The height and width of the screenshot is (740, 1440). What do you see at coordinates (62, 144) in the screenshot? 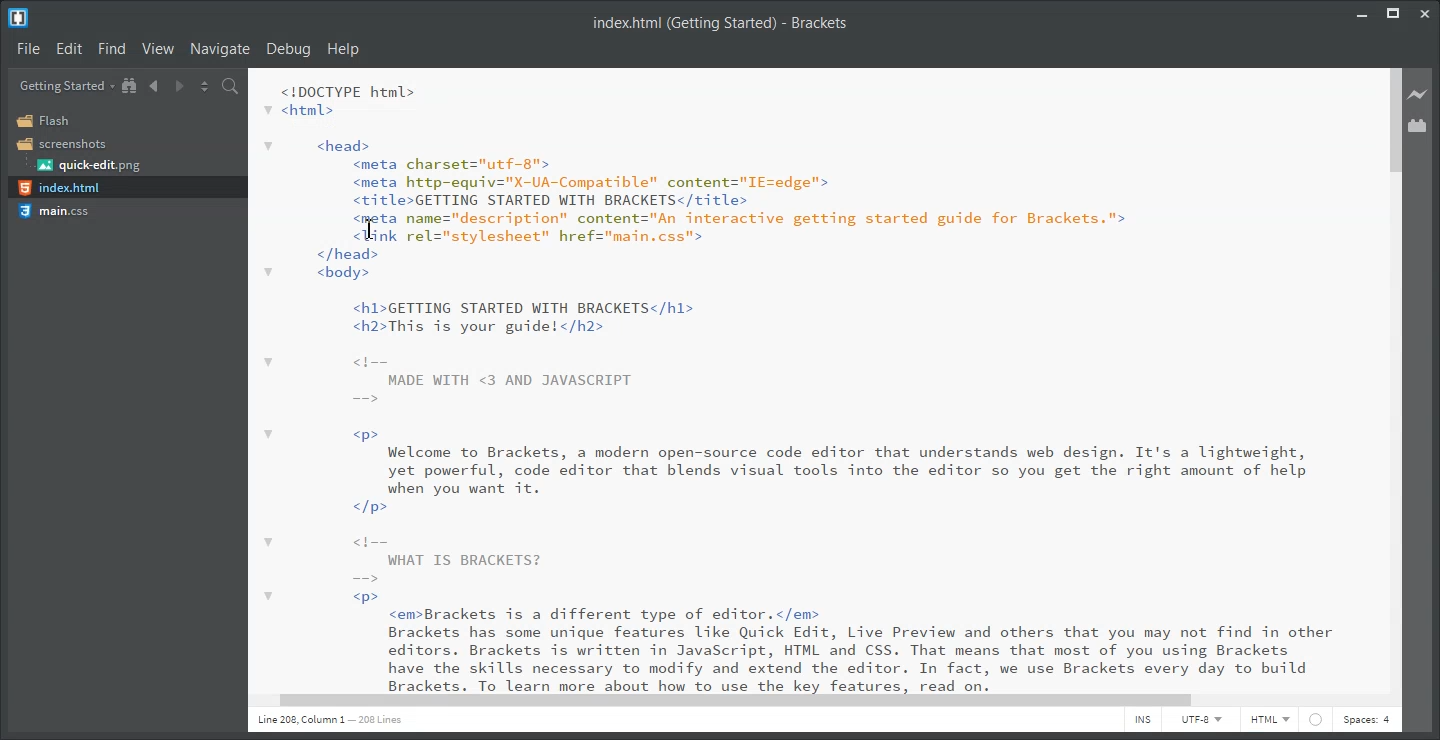
I see `Screenshots` at bounding box center [62, 144].